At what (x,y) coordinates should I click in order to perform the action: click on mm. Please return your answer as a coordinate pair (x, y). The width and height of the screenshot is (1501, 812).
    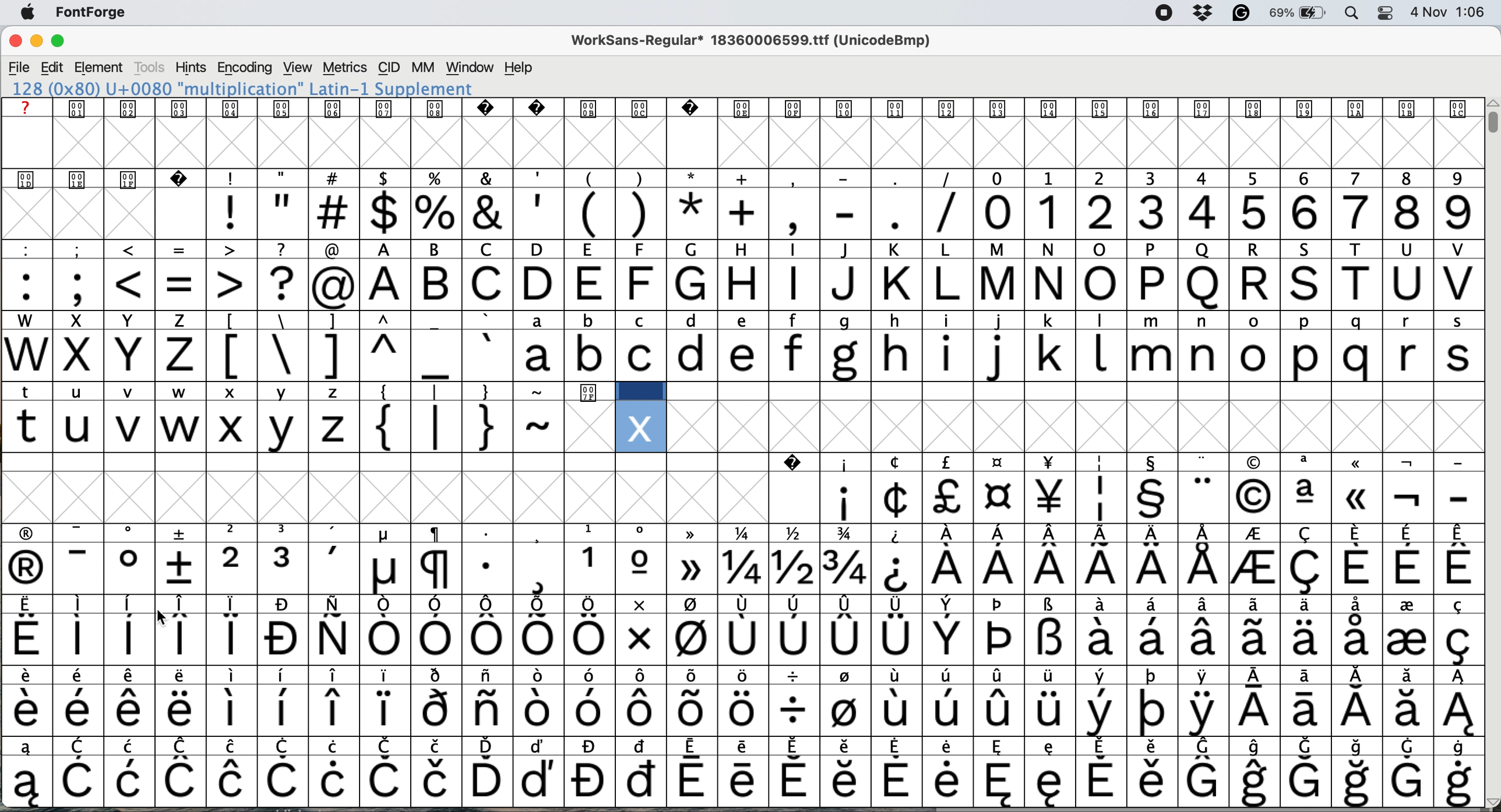
    Looking at the image, I should click on (422, 68).